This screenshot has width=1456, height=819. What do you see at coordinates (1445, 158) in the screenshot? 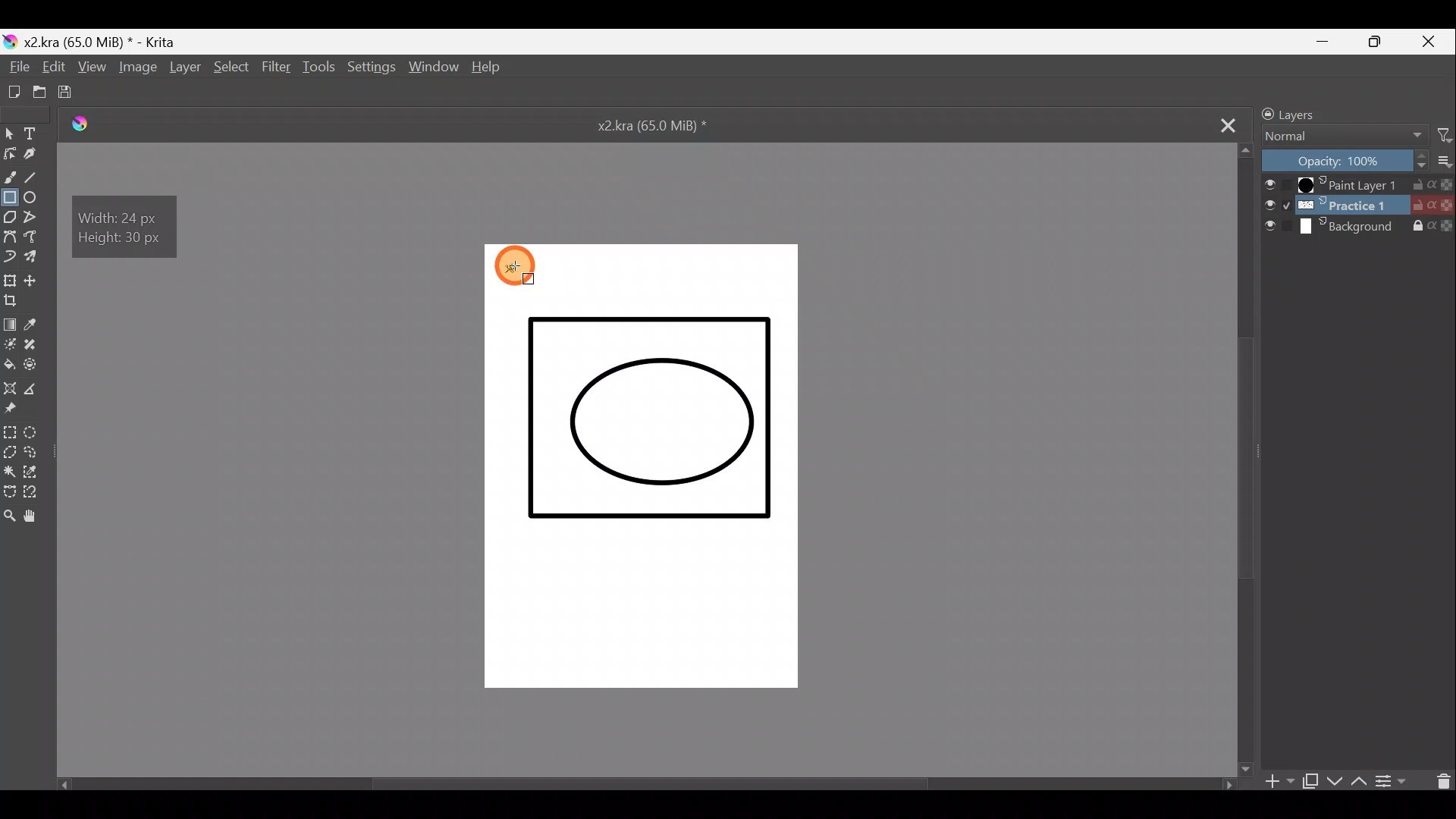
I see `More` at bounding box center [1445, 158].